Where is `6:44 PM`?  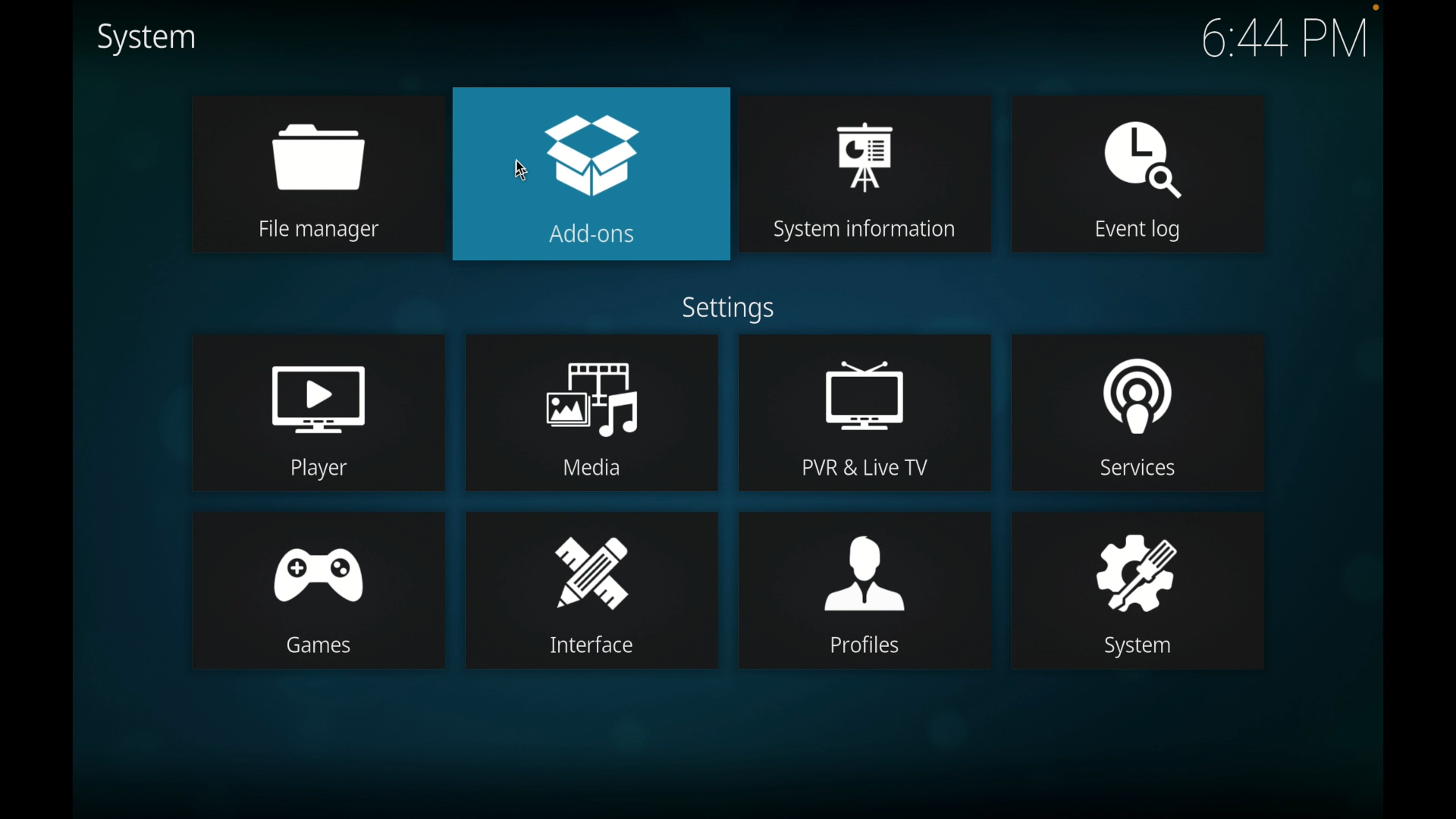
6:44 PM is located at coordinates (1292, 37).